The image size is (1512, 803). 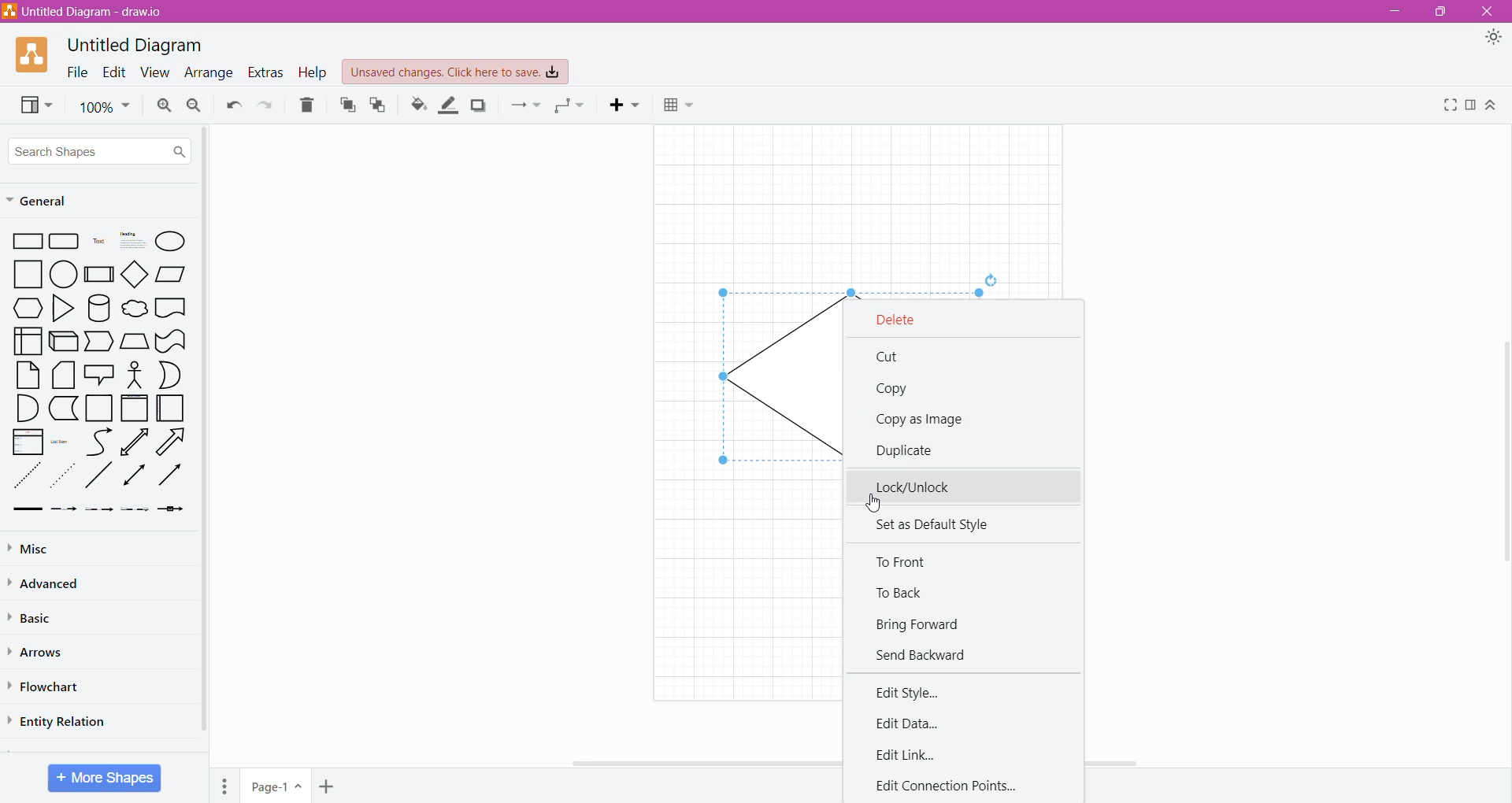 What do you see at coordinates (926, 653) in the screenshot?
I see `Send Backward` at bounding box center [926, 653].